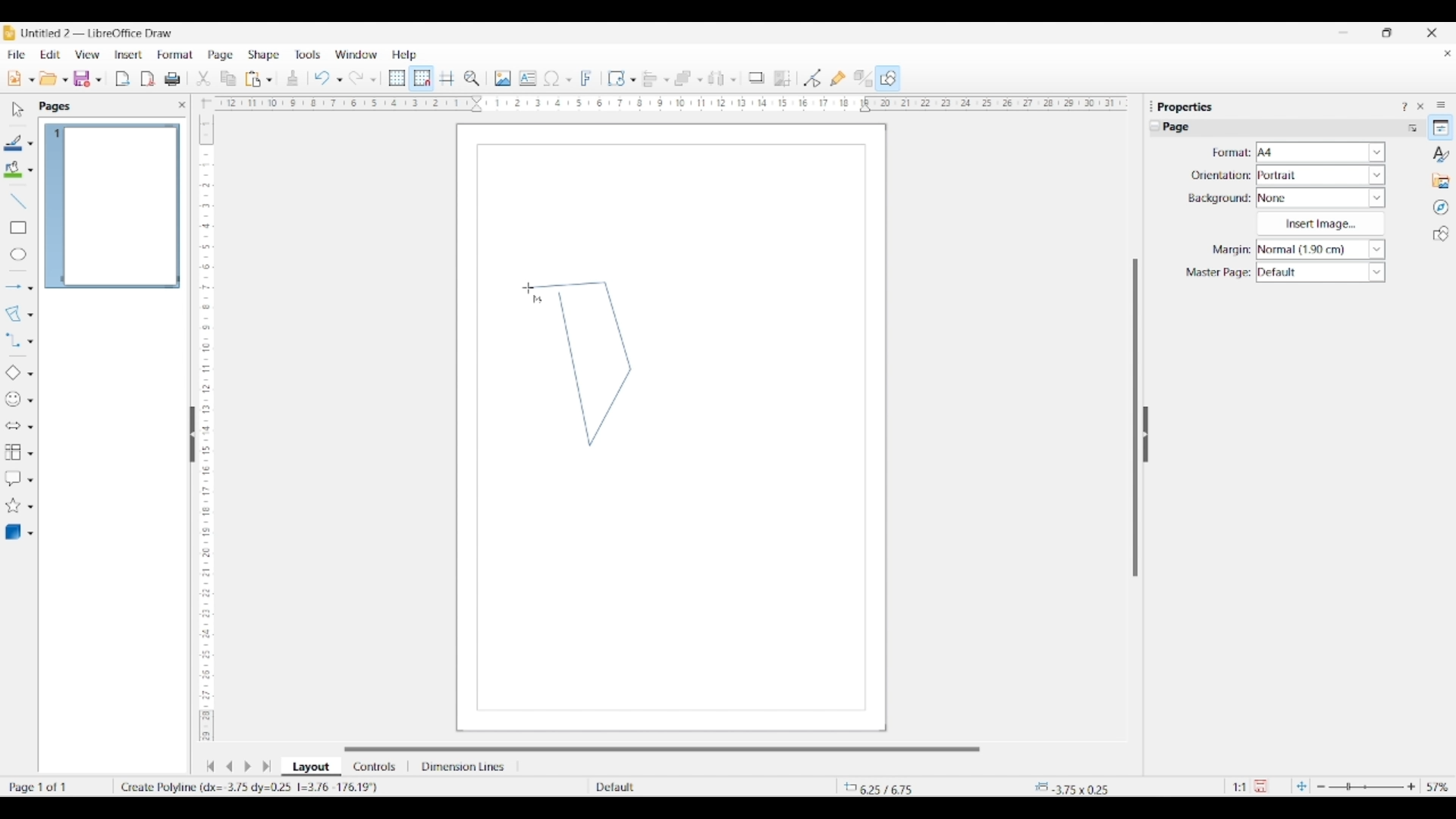 This screenshot has width=1456, height=819. I want to click on Dimensions of shape within the canvas changed, so click(1082, 786).